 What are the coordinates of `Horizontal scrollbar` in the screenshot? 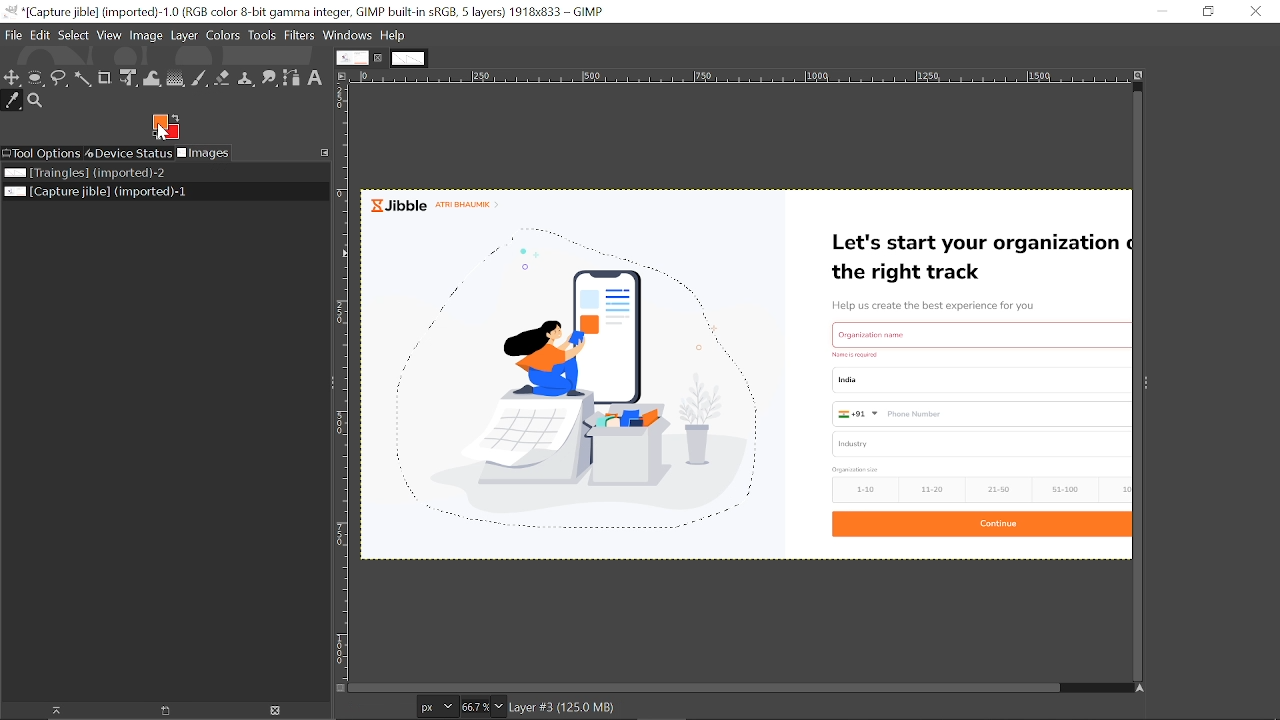 It's located at (706, 687).